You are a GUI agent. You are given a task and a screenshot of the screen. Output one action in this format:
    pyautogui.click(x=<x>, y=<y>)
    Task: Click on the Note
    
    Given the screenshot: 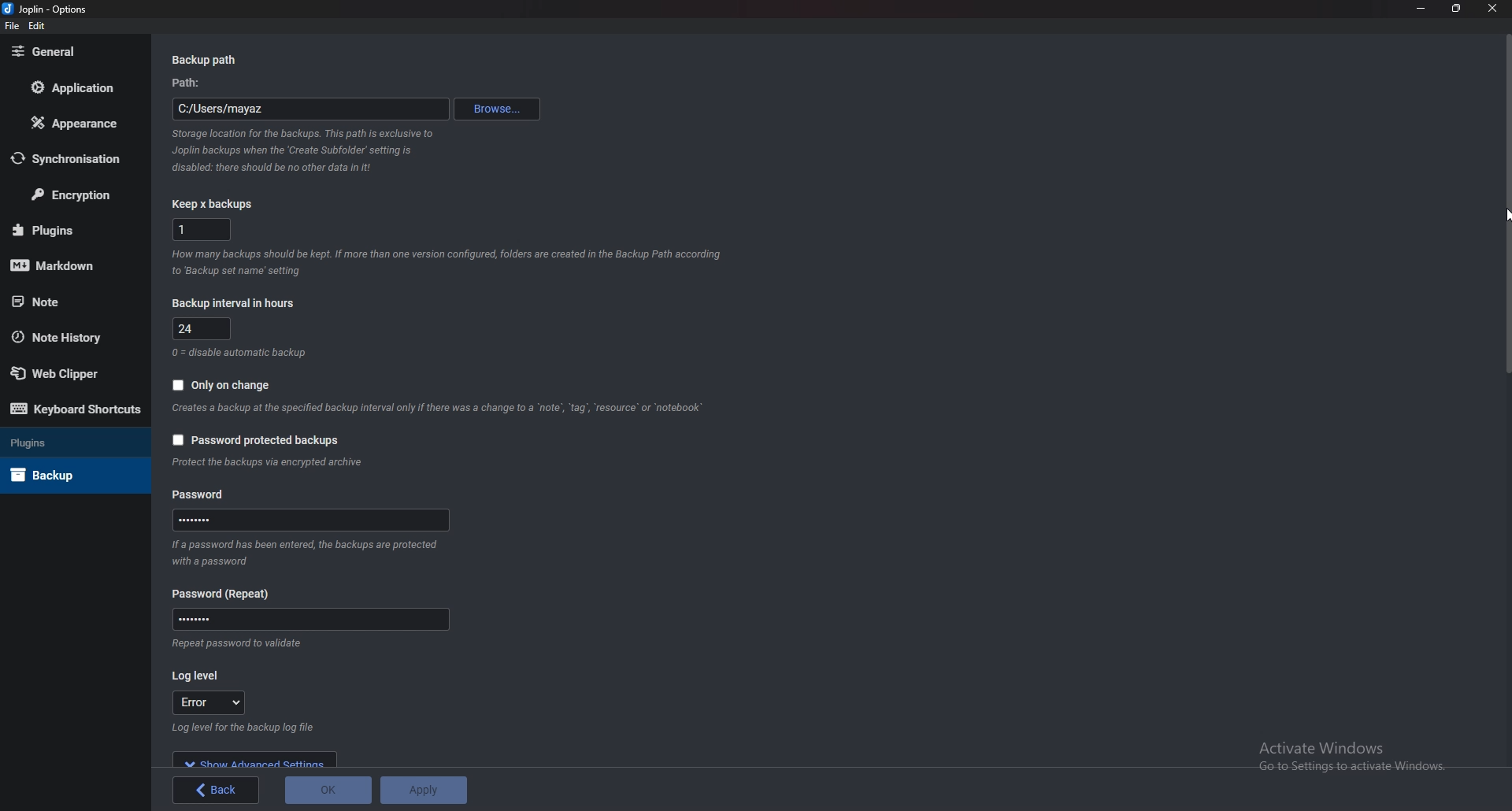 What is the action you would take?
    pyautogui.click(x=70, y=300)
    